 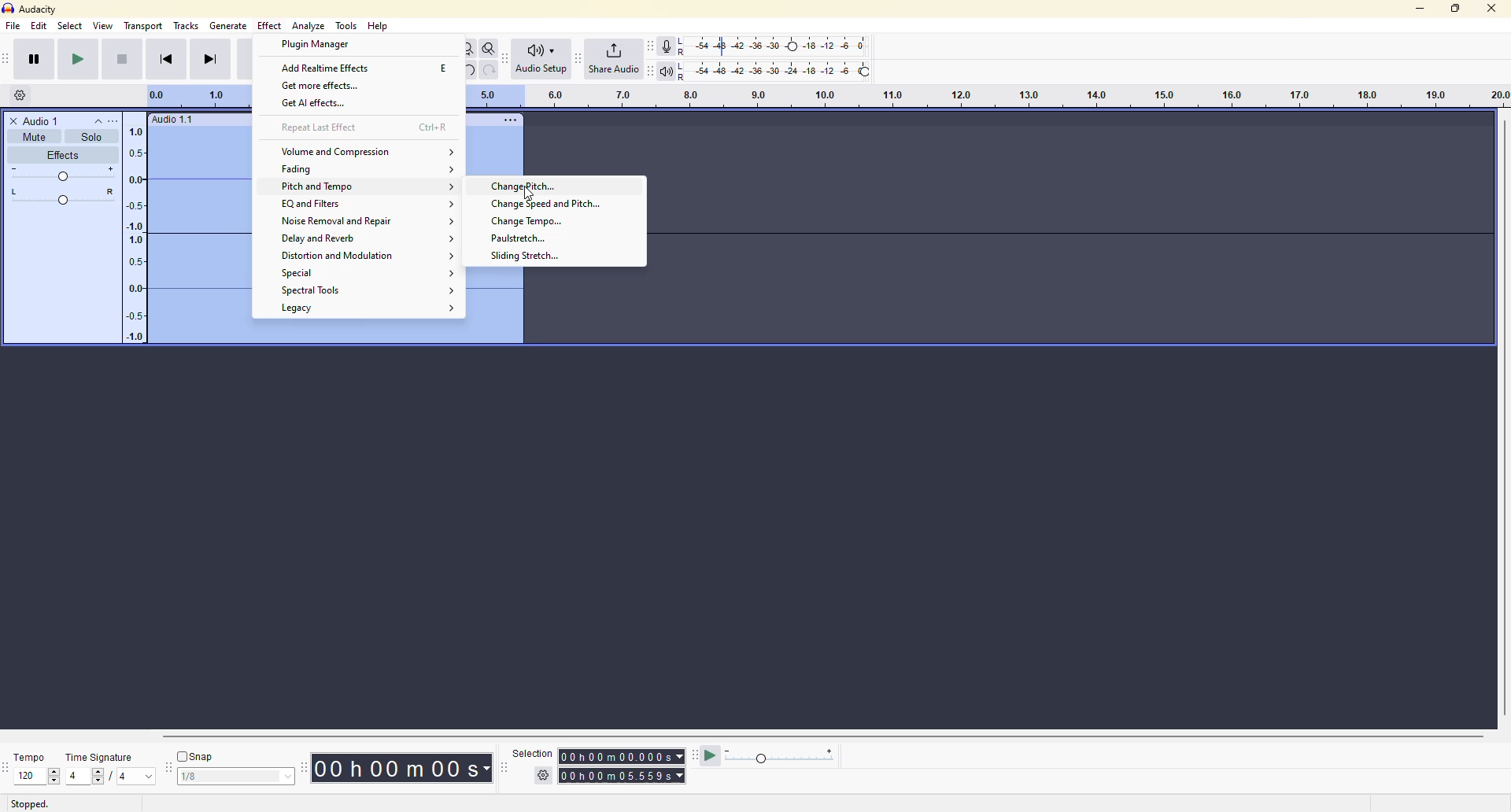 I want to click on audio setup toolbar, so click(x=507, y=58).